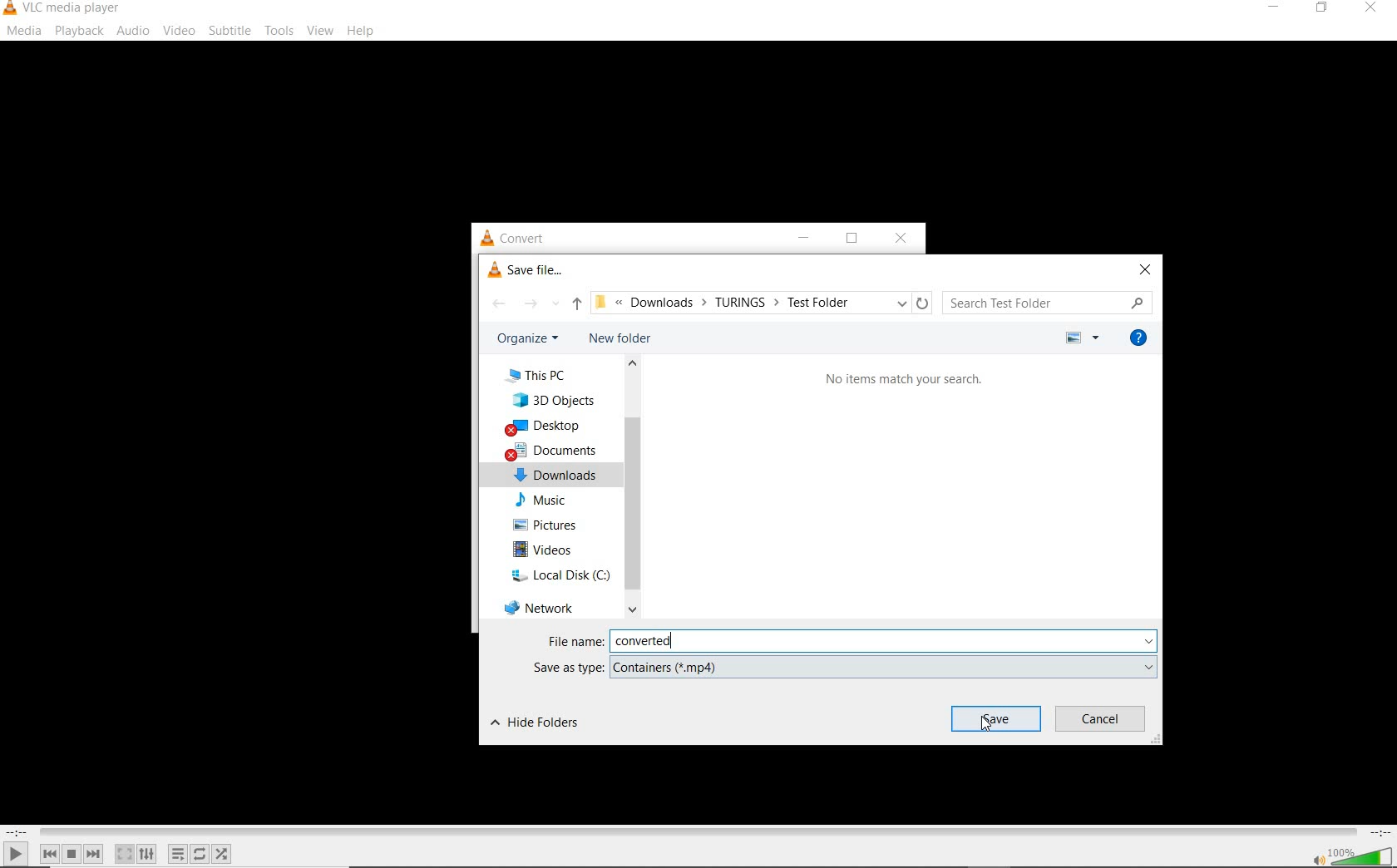 The height and width of the screenshot is (868, 1397). What do you see at coordinates (1369, 11) in the screenshot?
I see `close` at bounding box center [1369, 11].